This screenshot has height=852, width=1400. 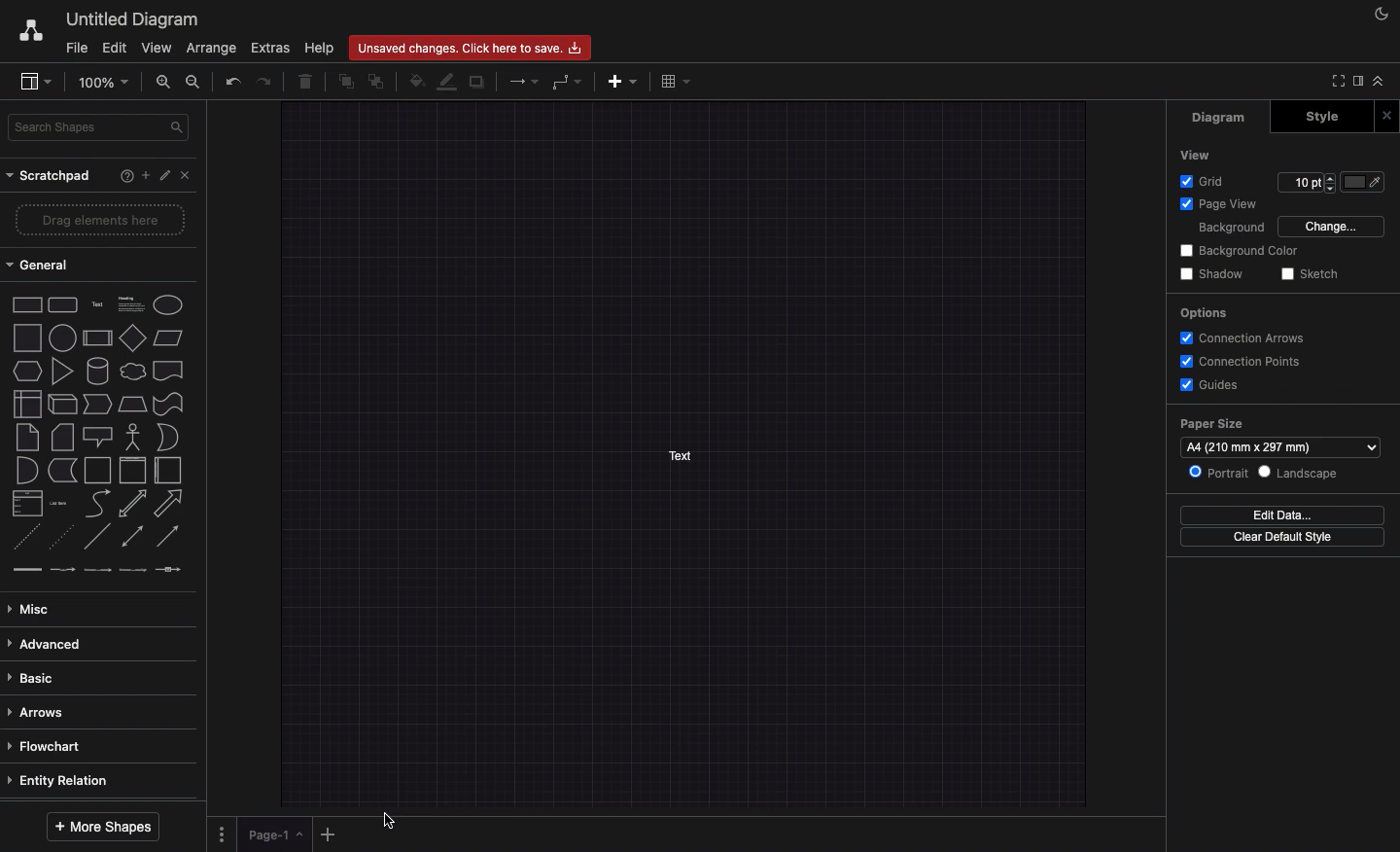 I want to click on Unsaved changes. click here to save., so click(x=470, y=48).